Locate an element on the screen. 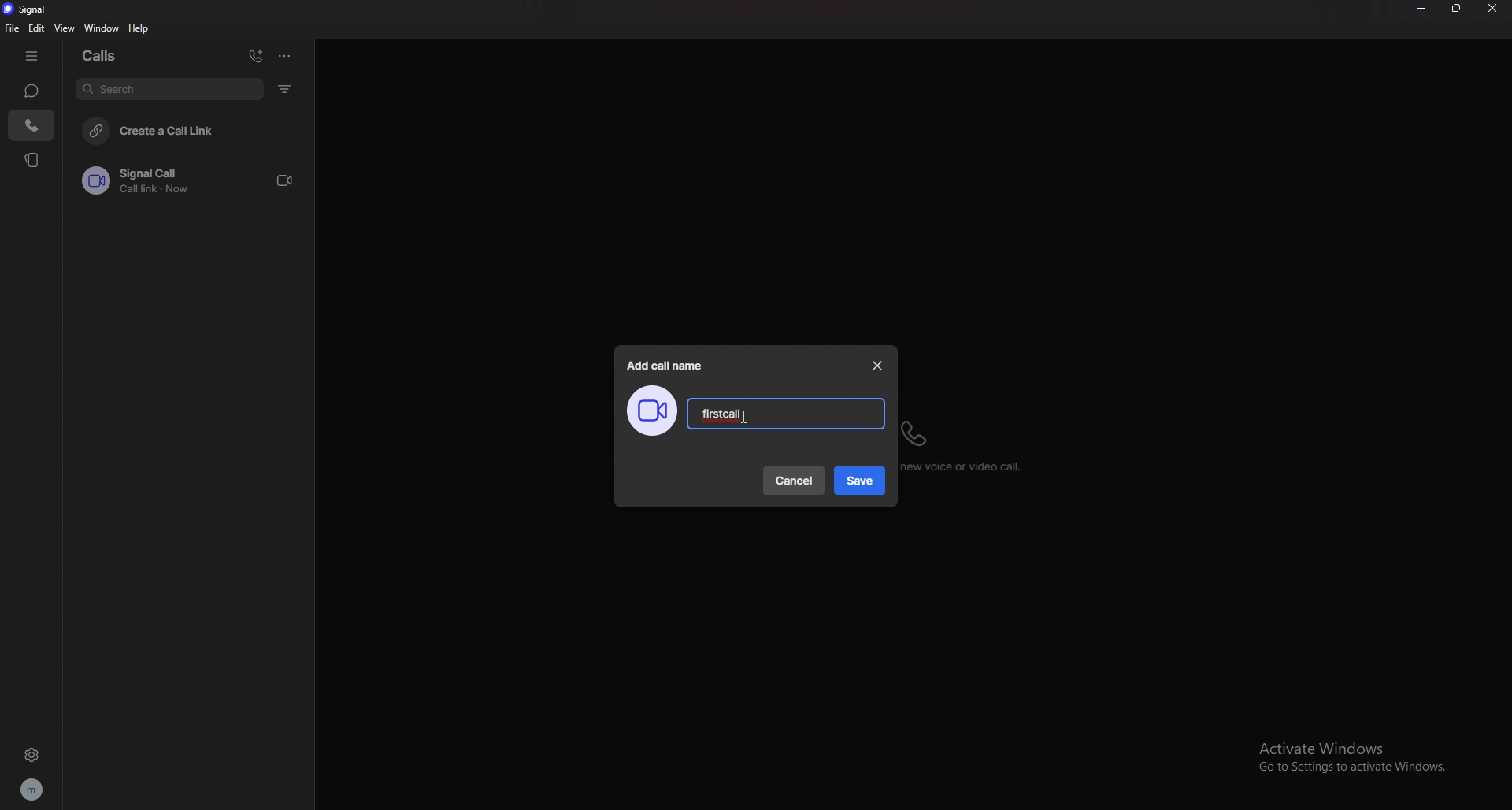 The width and height of the screenshot is (1512, 810). profile is located at coordinates (31, 790).